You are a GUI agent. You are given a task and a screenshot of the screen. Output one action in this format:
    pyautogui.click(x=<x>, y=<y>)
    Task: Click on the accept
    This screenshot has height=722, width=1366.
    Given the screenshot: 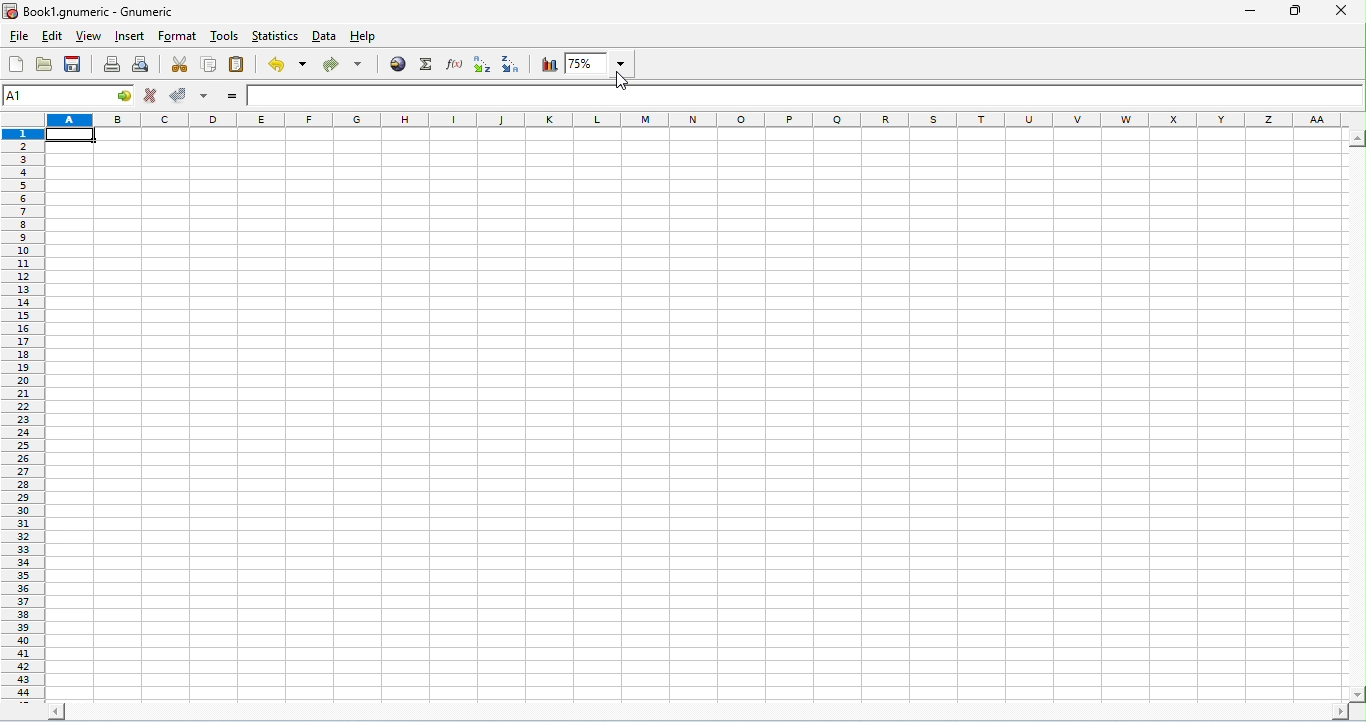 What is the action you would take?
    pyautogui.click(x=181, y=96)
    